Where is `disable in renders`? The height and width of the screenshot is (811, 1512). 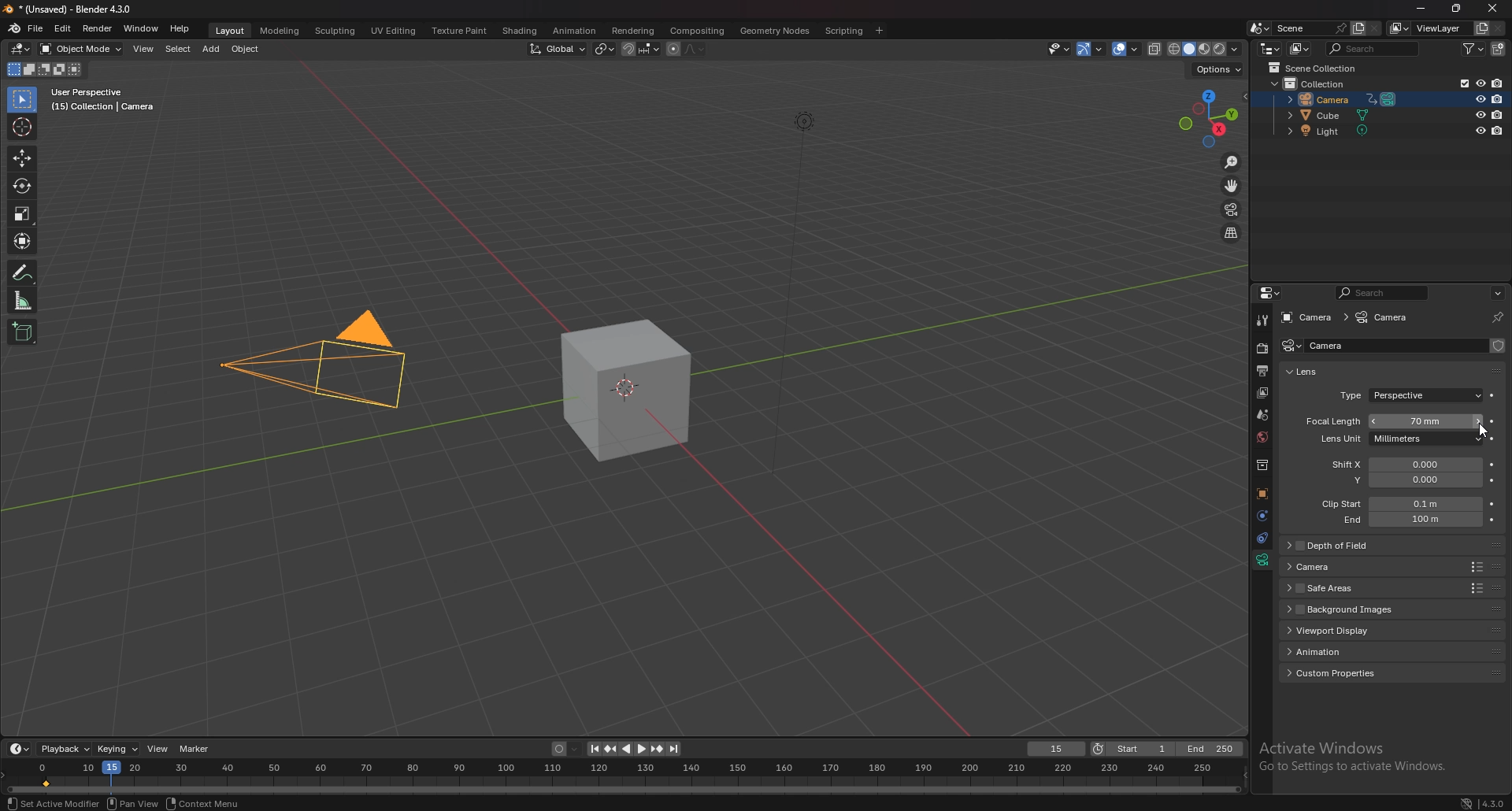
disable in renders is located at coordinates (1499, 83).